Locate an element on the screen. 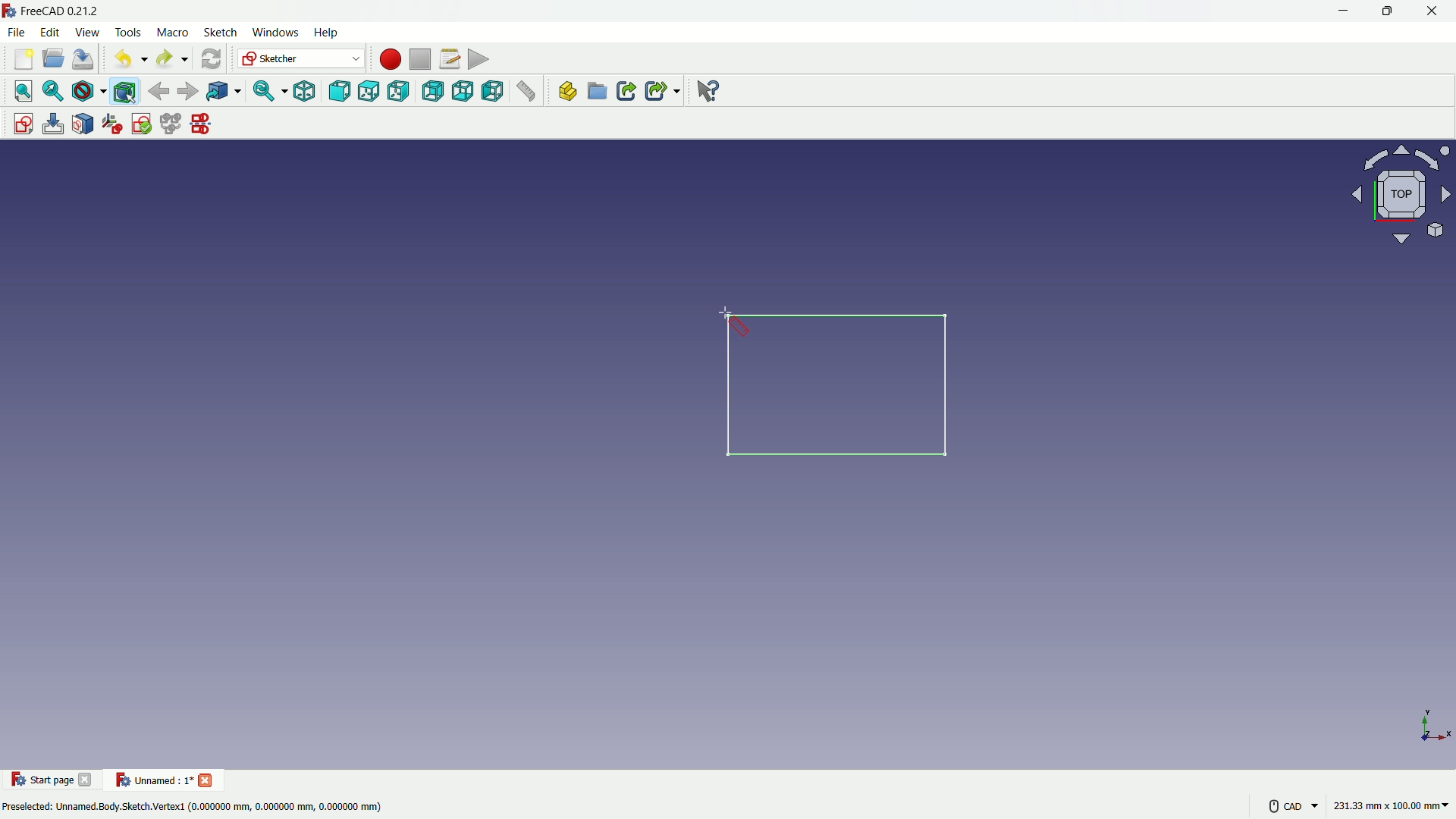 The height and width of the screenshot is (819, 1456). edit menu is located at coordinates (50, 32).